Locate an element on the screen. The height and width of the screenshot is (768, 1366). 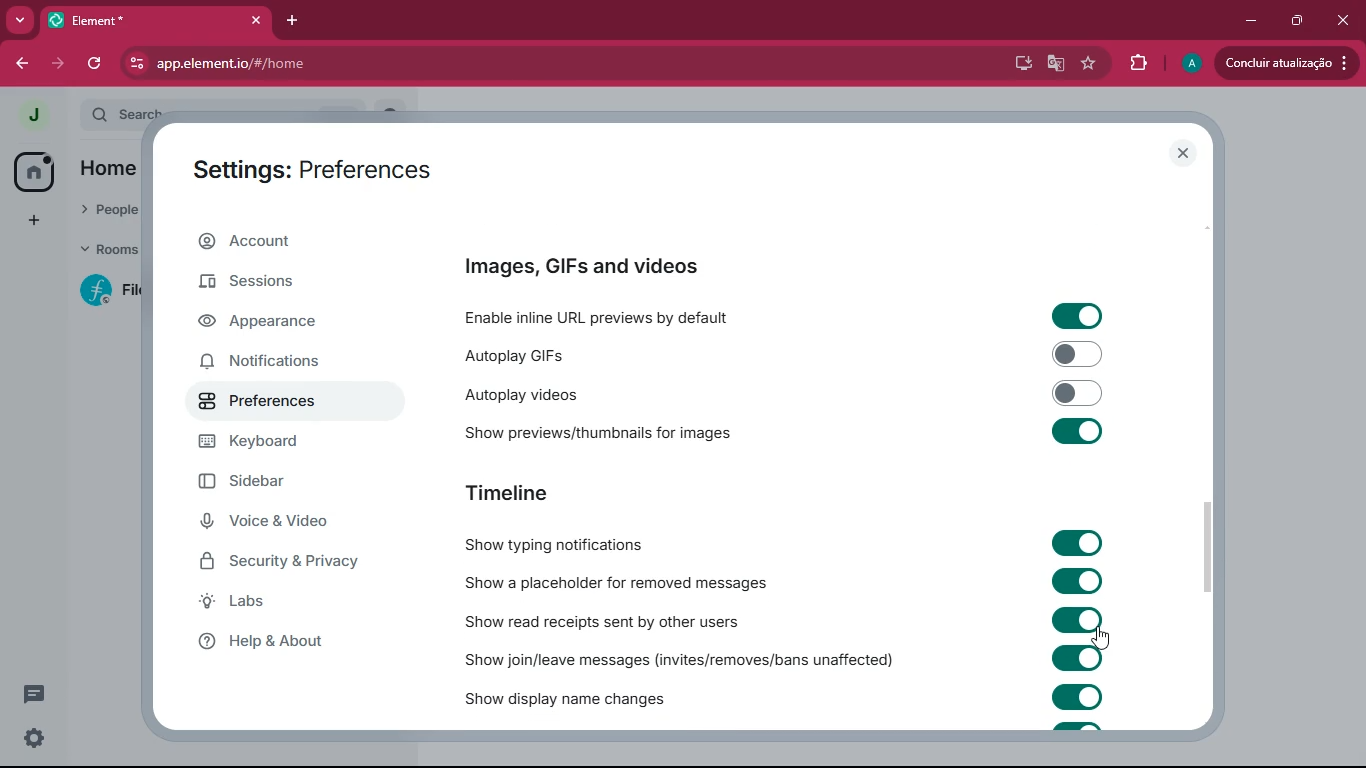
app.element.io/#/home is located at coordinates (351, 63).